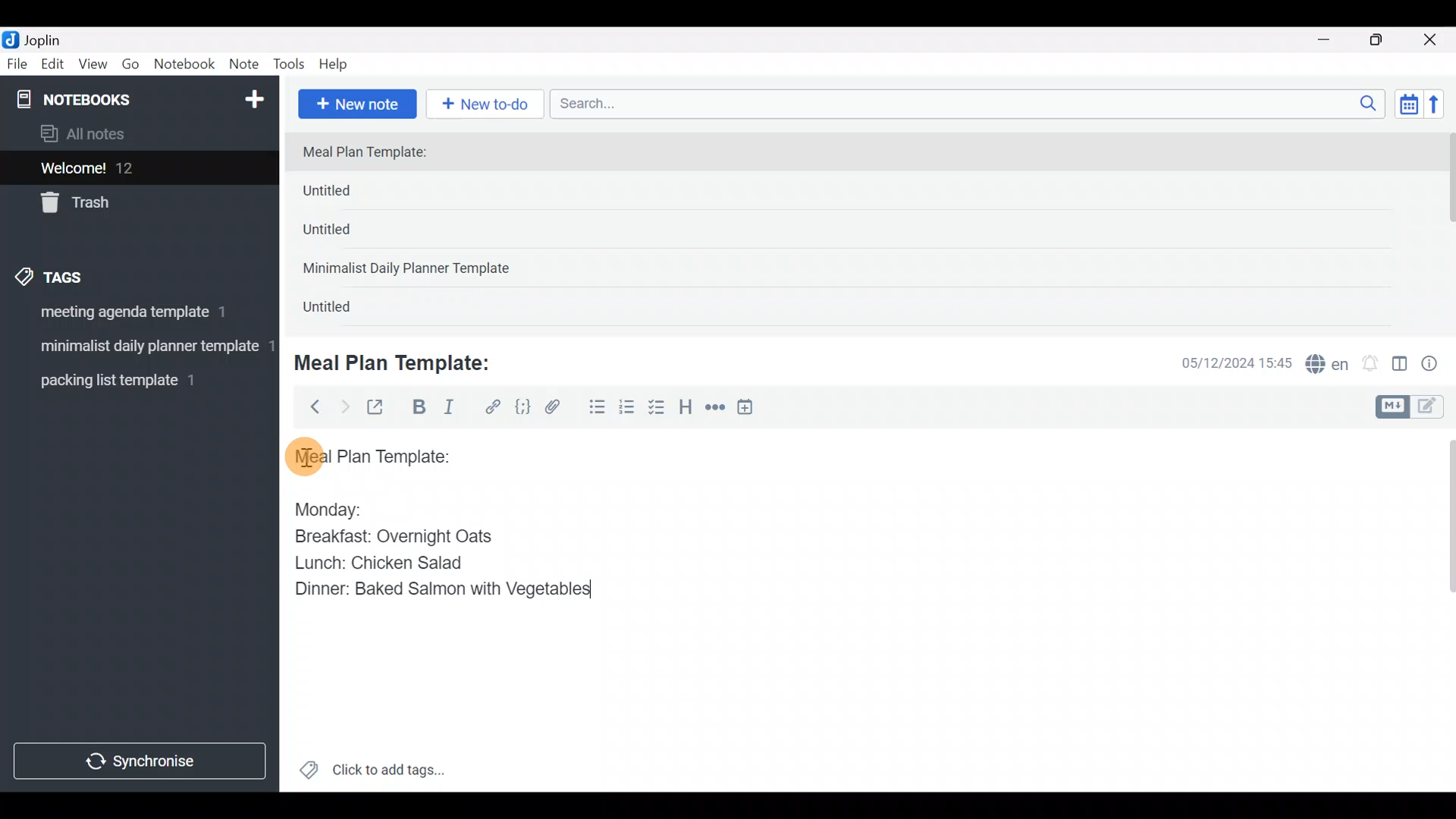 The height and width of the screenshot is (819, 1456). What do you see at coordinates (339, 61) in the screenshot?
I see `Help` at bounding box center [339, 61].